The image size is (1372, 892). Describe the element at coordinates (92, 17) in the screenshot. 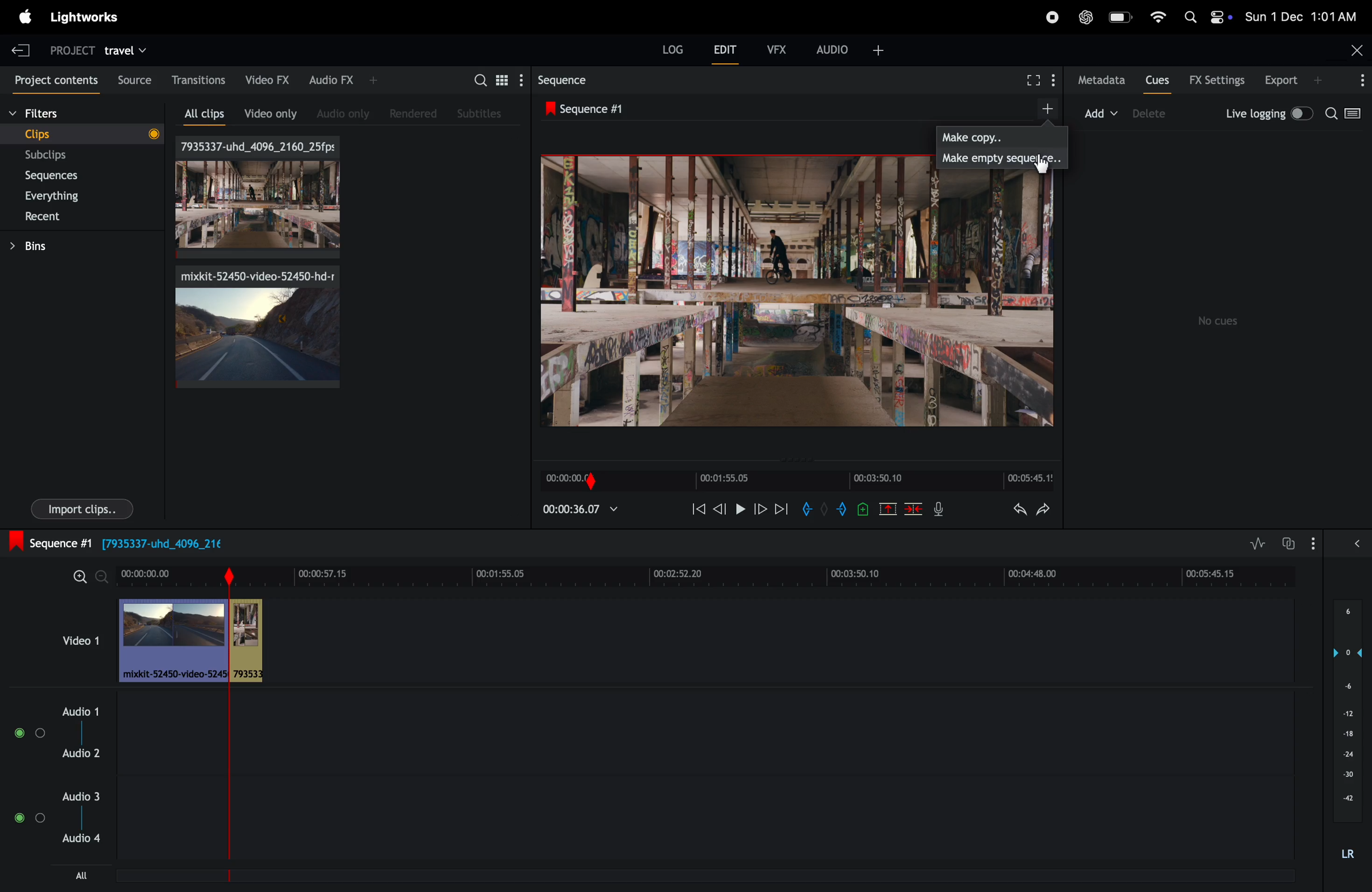

I see `lightworks` at that location.